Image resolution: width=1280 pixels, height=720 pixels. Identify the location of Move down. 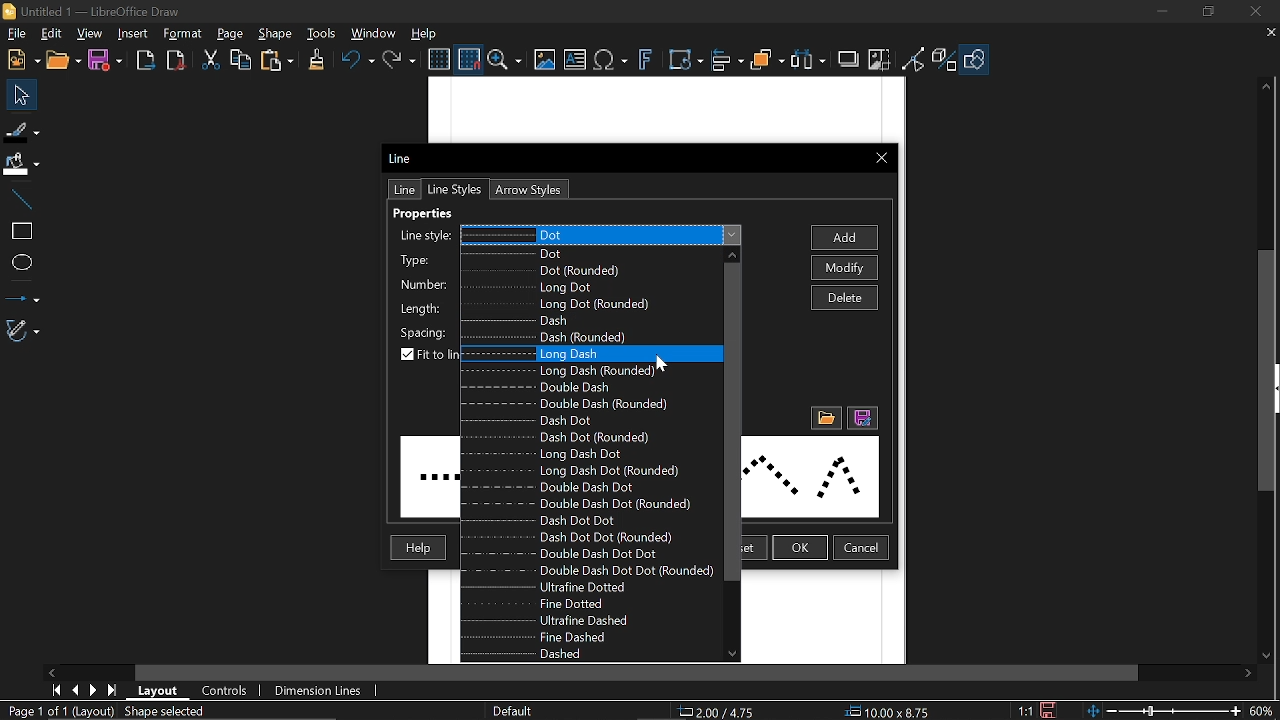
(734, 653).